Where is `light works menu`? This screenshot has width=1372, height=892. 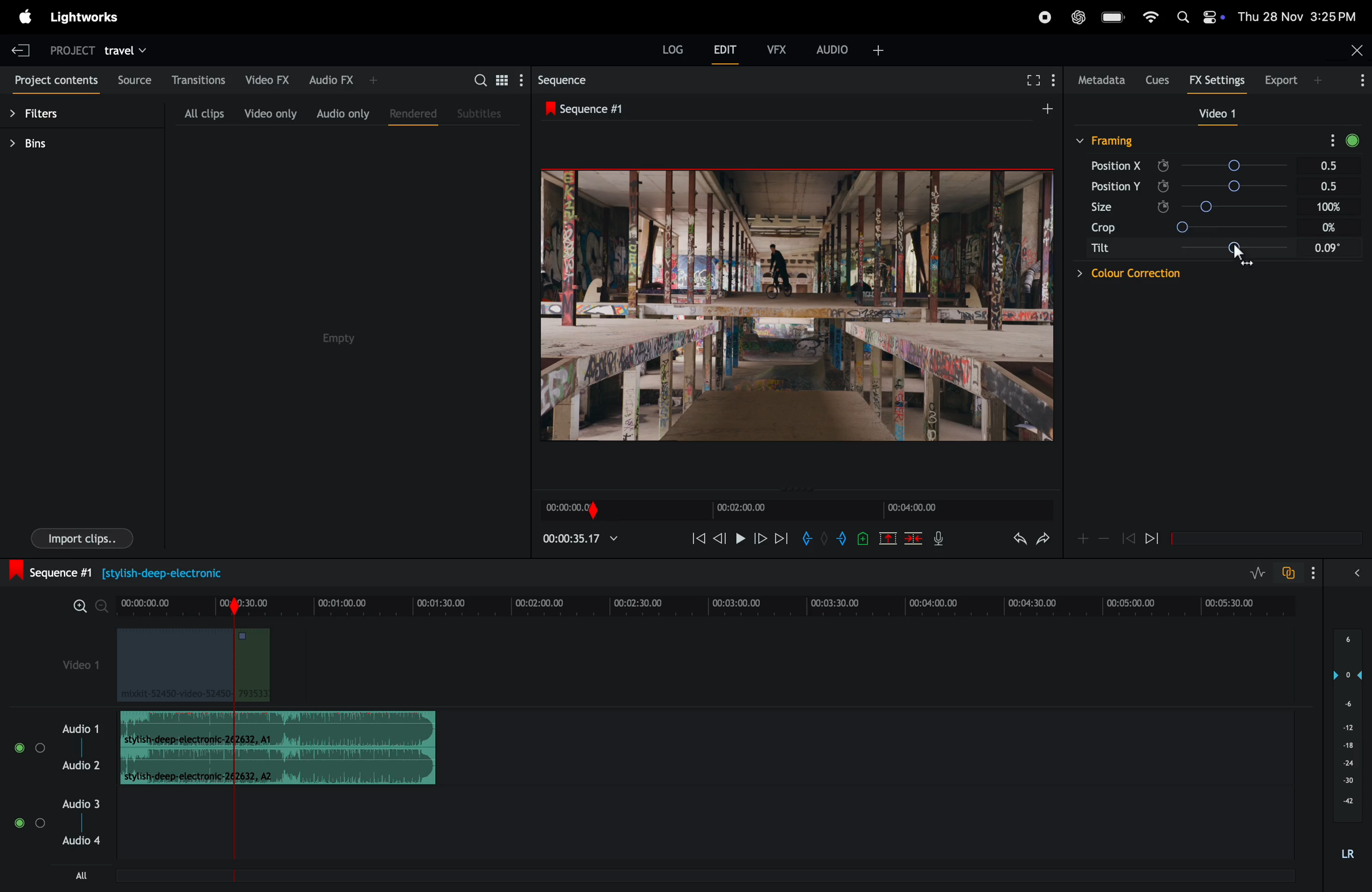
light works menu is located at coordinates (92, 18).